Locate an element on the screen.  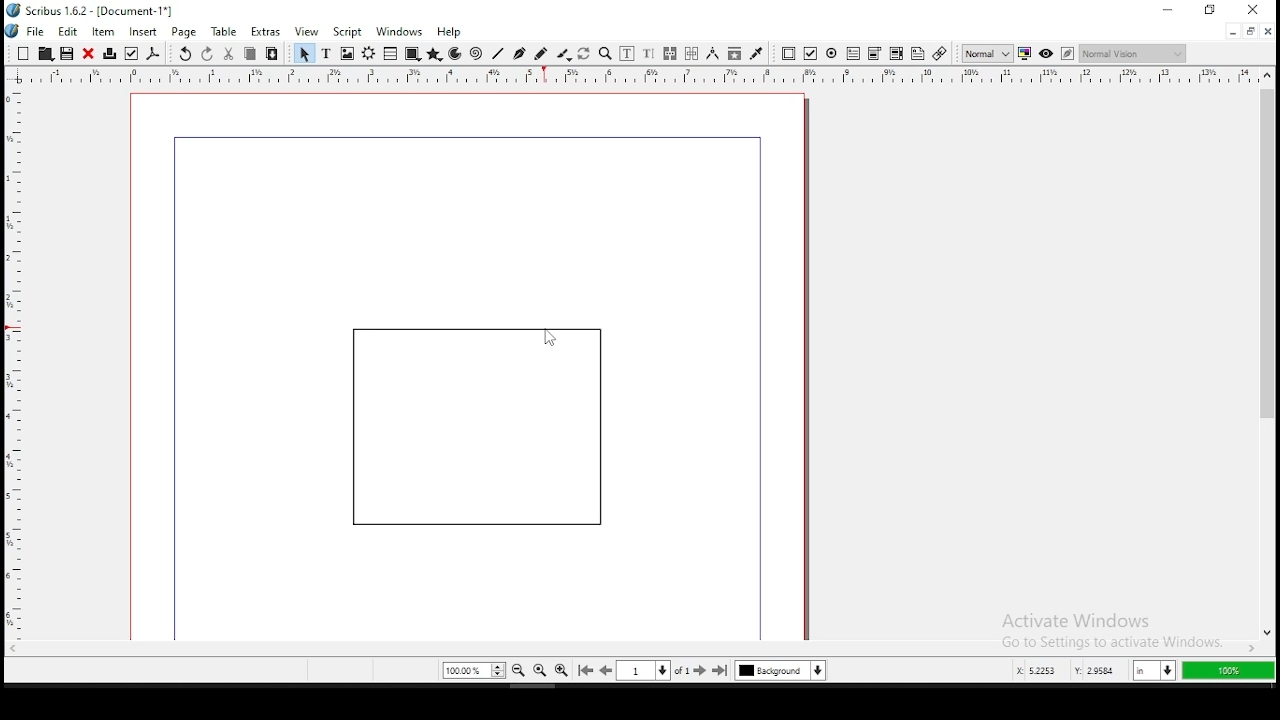
arc is located at coordinates (456, 54).